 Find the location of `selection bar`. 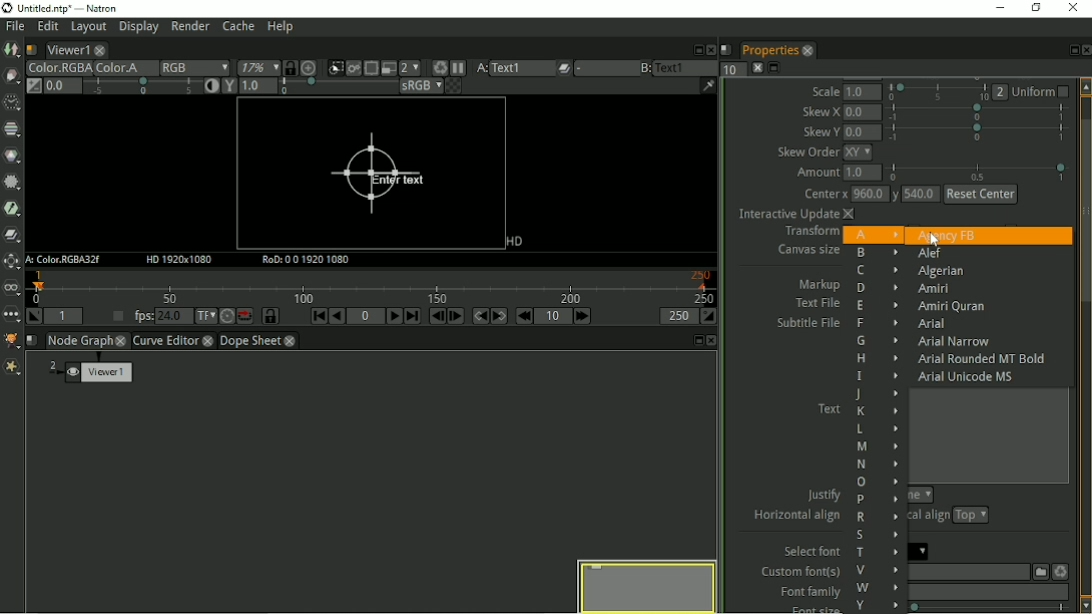

selection bar is located at coordinates (938, 92).